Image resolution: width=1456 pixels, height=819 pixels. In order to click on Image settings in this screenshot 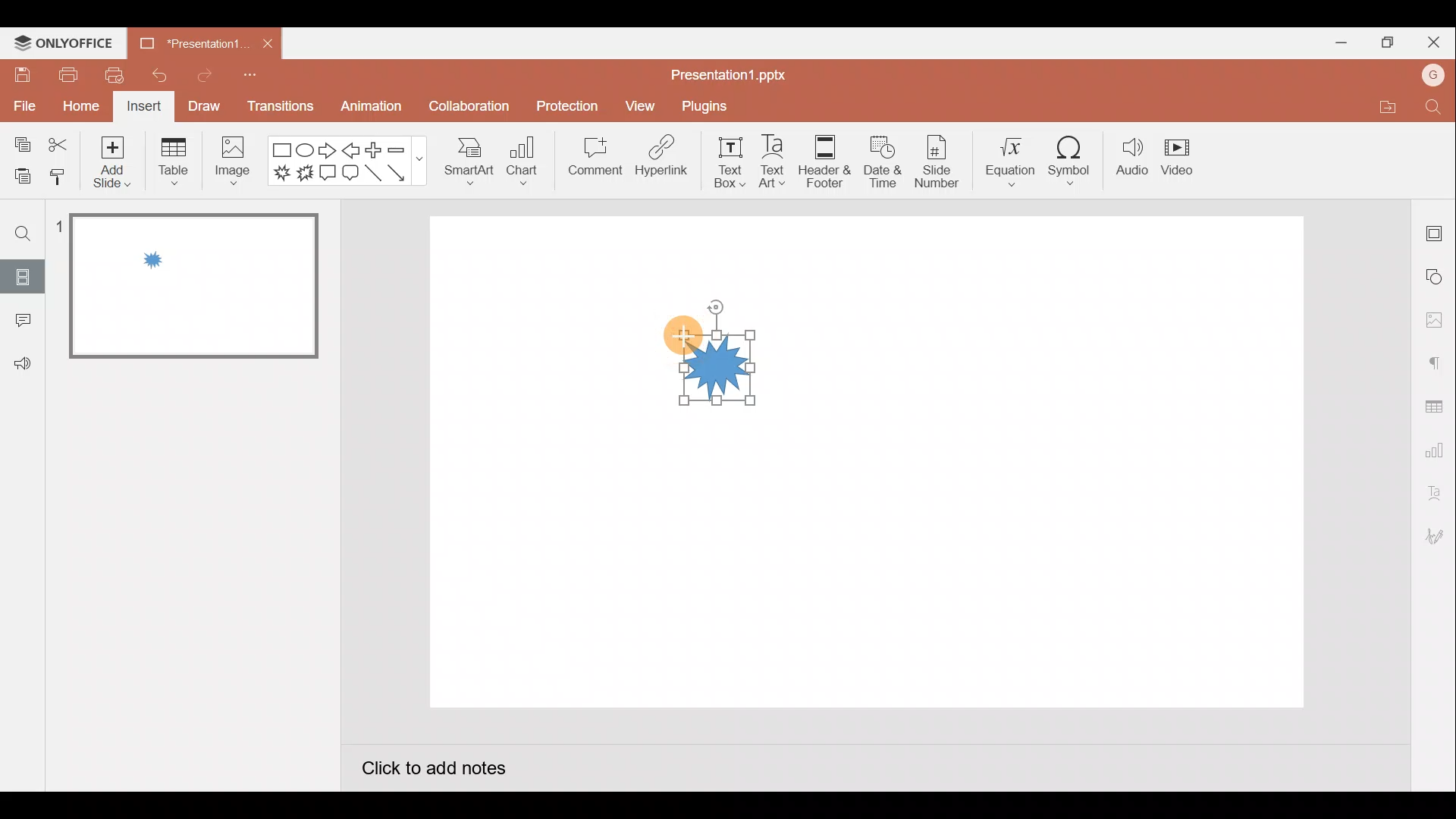, I will do `click(1432, 318)`.